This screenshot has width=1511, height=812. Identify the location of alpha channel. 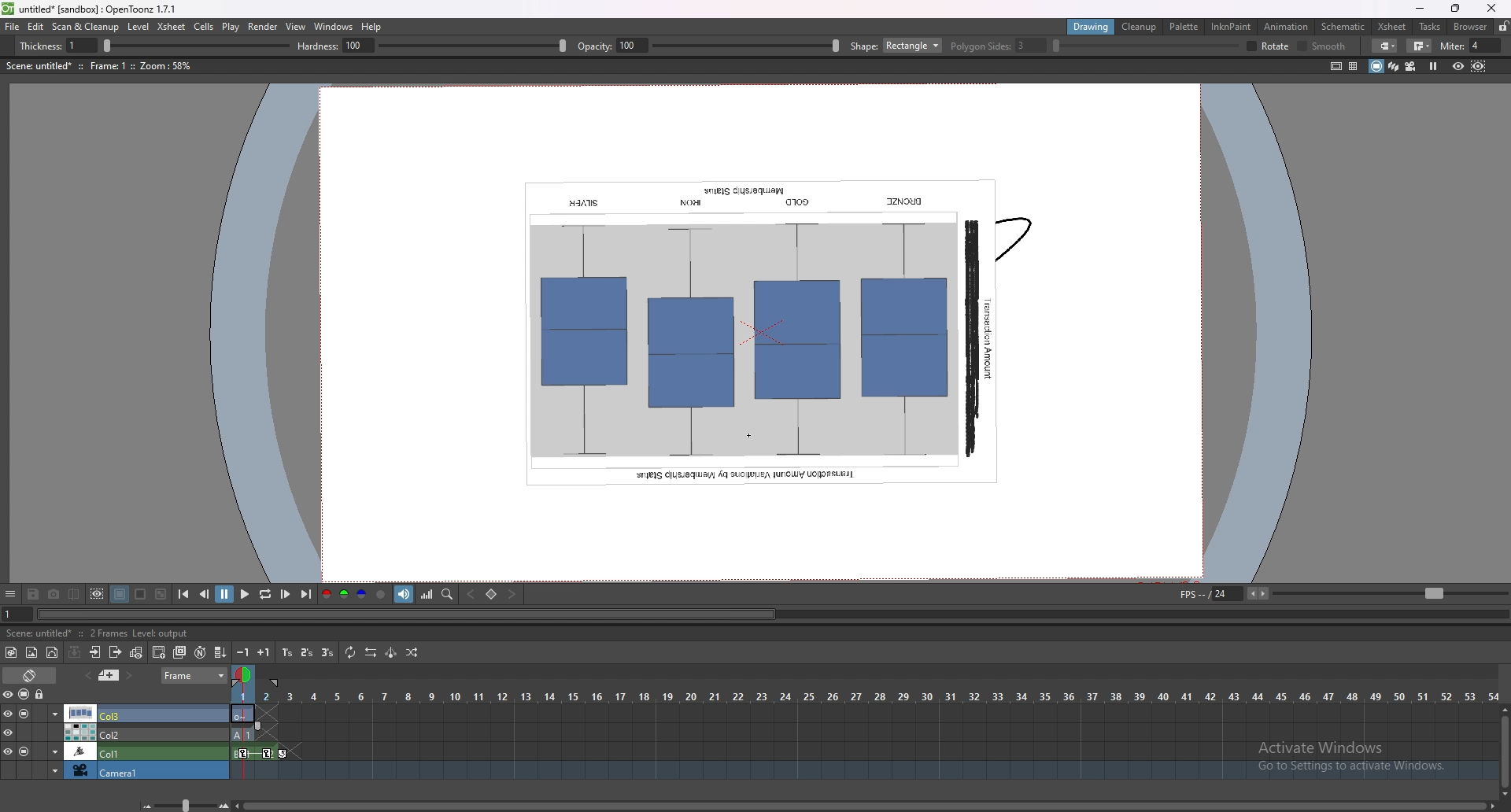
(381, 595).